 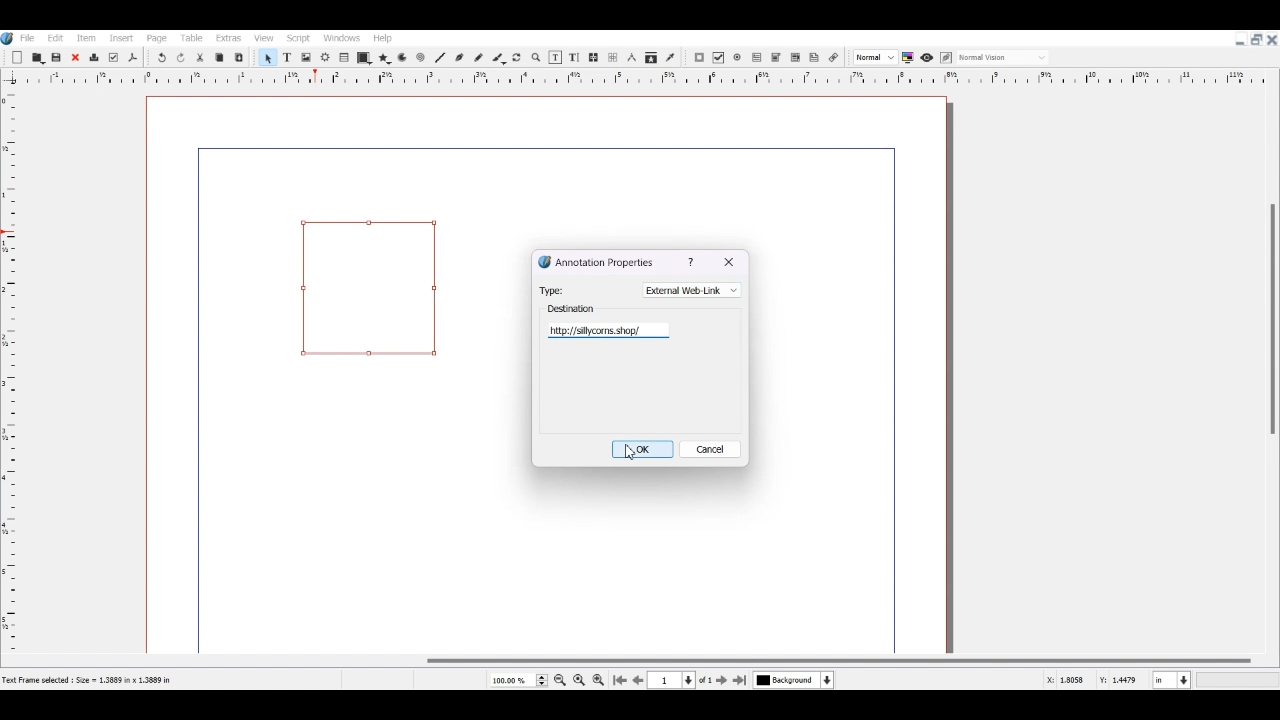 What do you see at coordinates (776, 58) in the screenshot?
I see `PDF Combo Box` at bounding box center [776, 58].